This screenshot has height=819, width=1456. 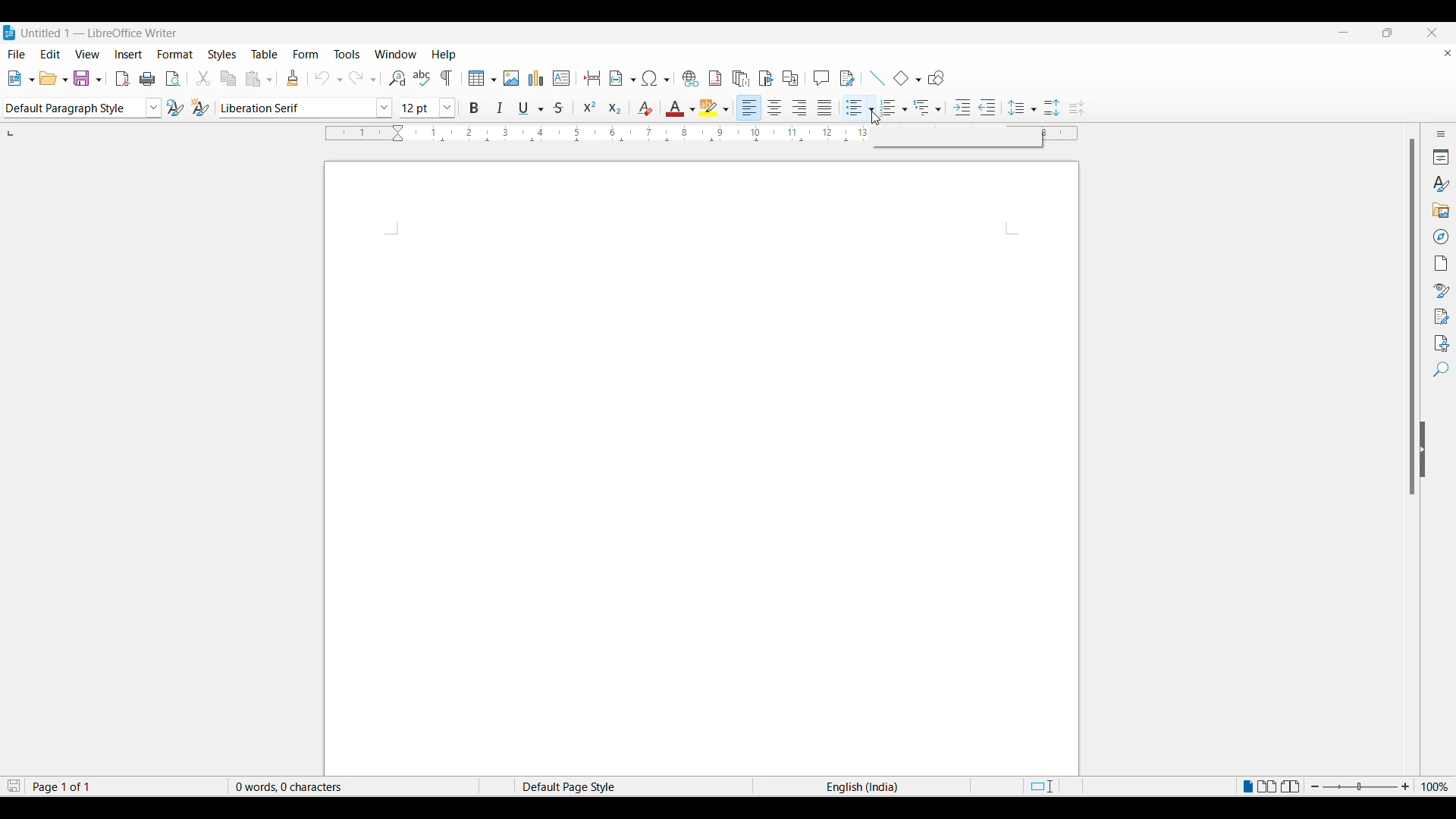 What do you see at coordinates (1350, 33) in the screenshot?
I see `minimise` at bounding box center [1350, 33].